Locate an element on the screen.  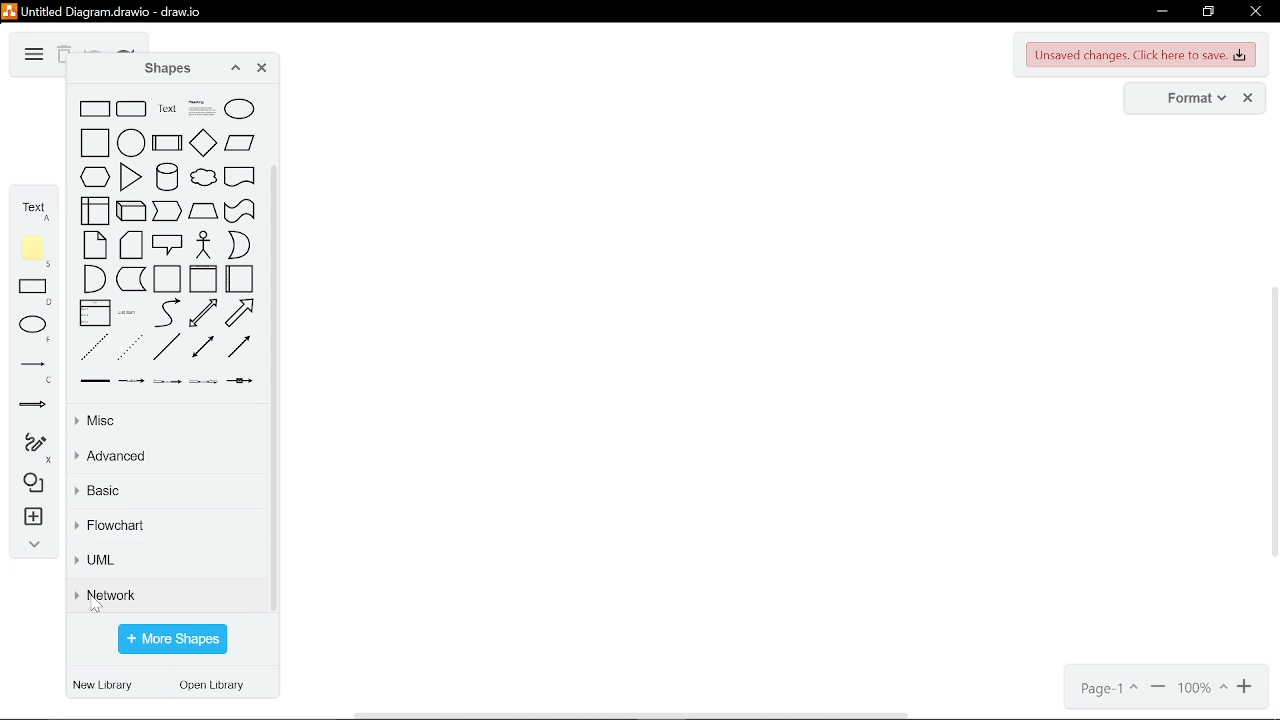
cylinder is located at coordinates (167, 176).